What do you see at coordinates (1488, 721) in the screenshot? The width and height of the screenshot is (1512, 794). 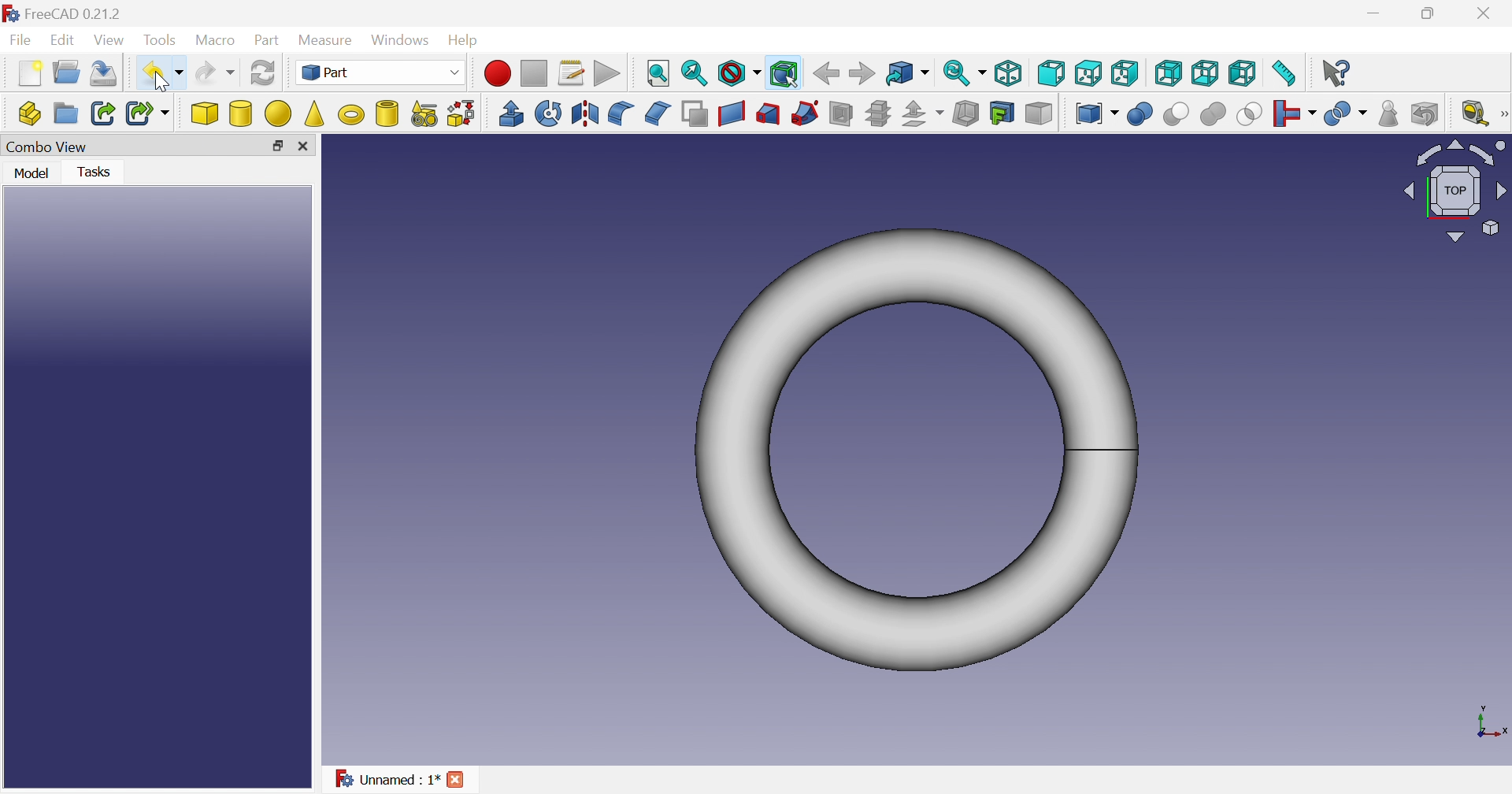 I see `x, y axis plane` at bounding box center [1488, 721].